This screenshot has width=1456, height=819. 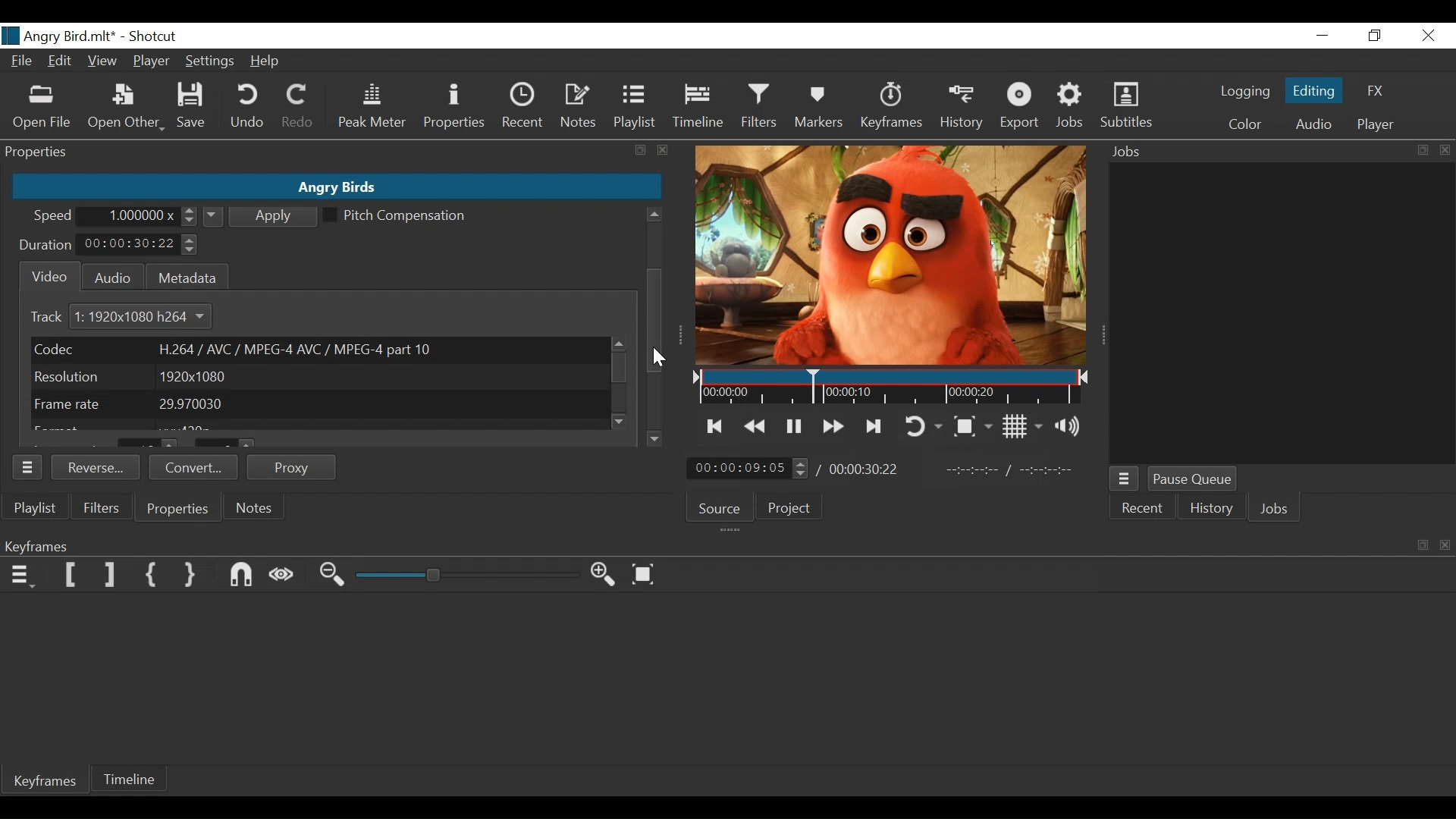 What do you see at coordinates (811, 387) in the screenshot?
I see `Insertion cursor` at bounding box center [811, 387].